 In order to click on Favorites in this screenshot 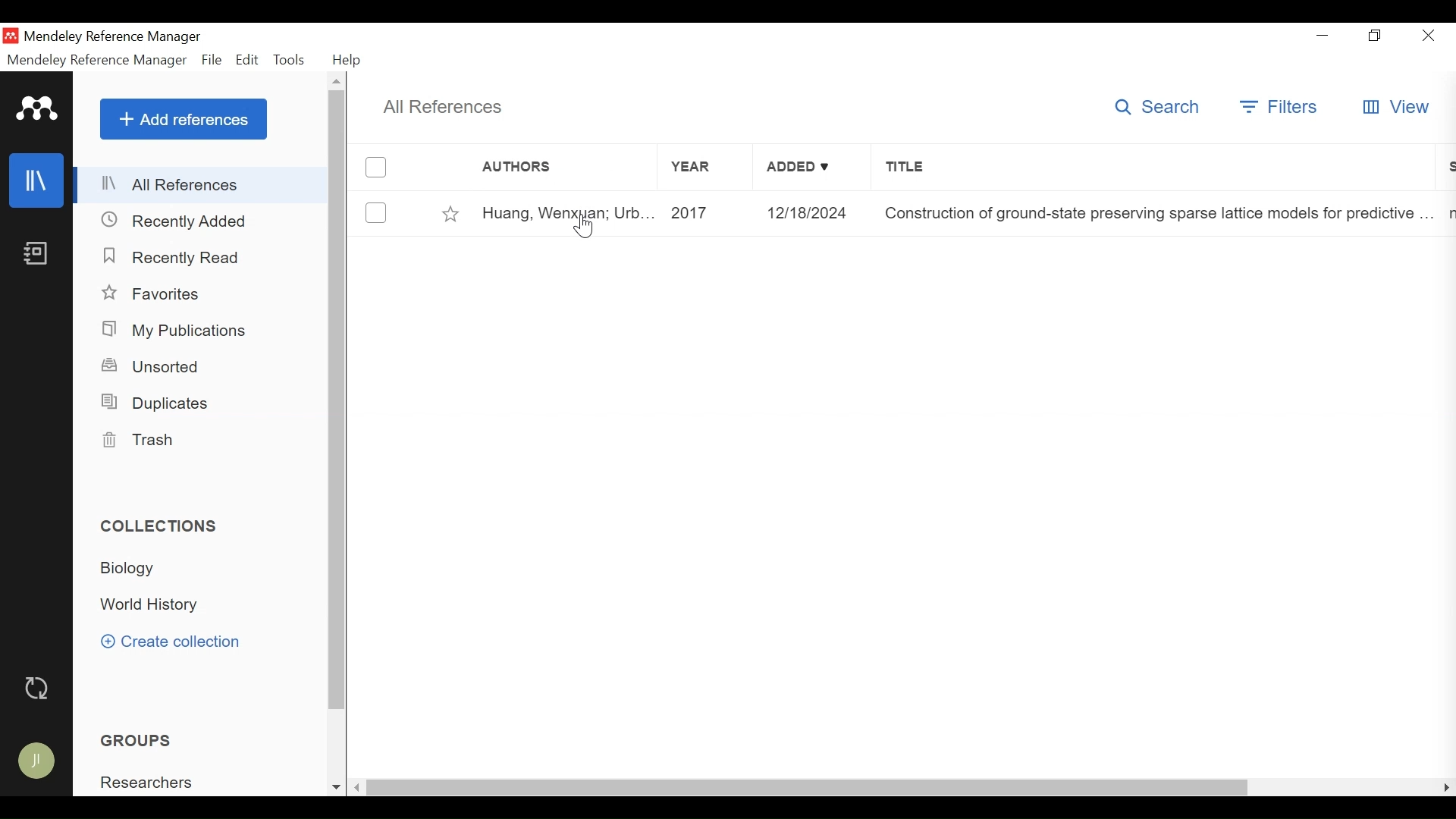, I will do `click(451, 212)`.